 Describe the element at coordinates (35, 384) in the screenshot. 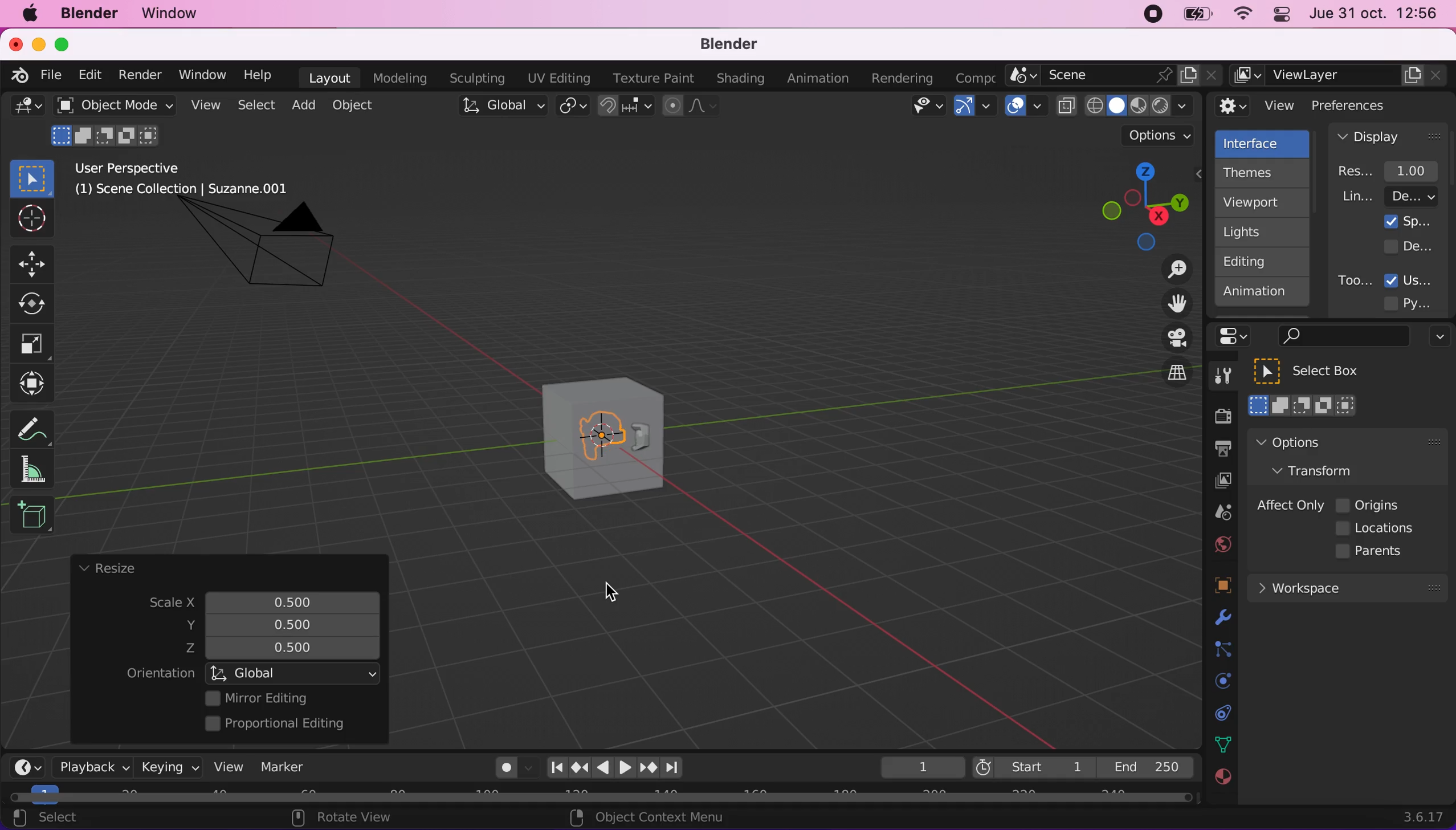

I see `transform` at that location.